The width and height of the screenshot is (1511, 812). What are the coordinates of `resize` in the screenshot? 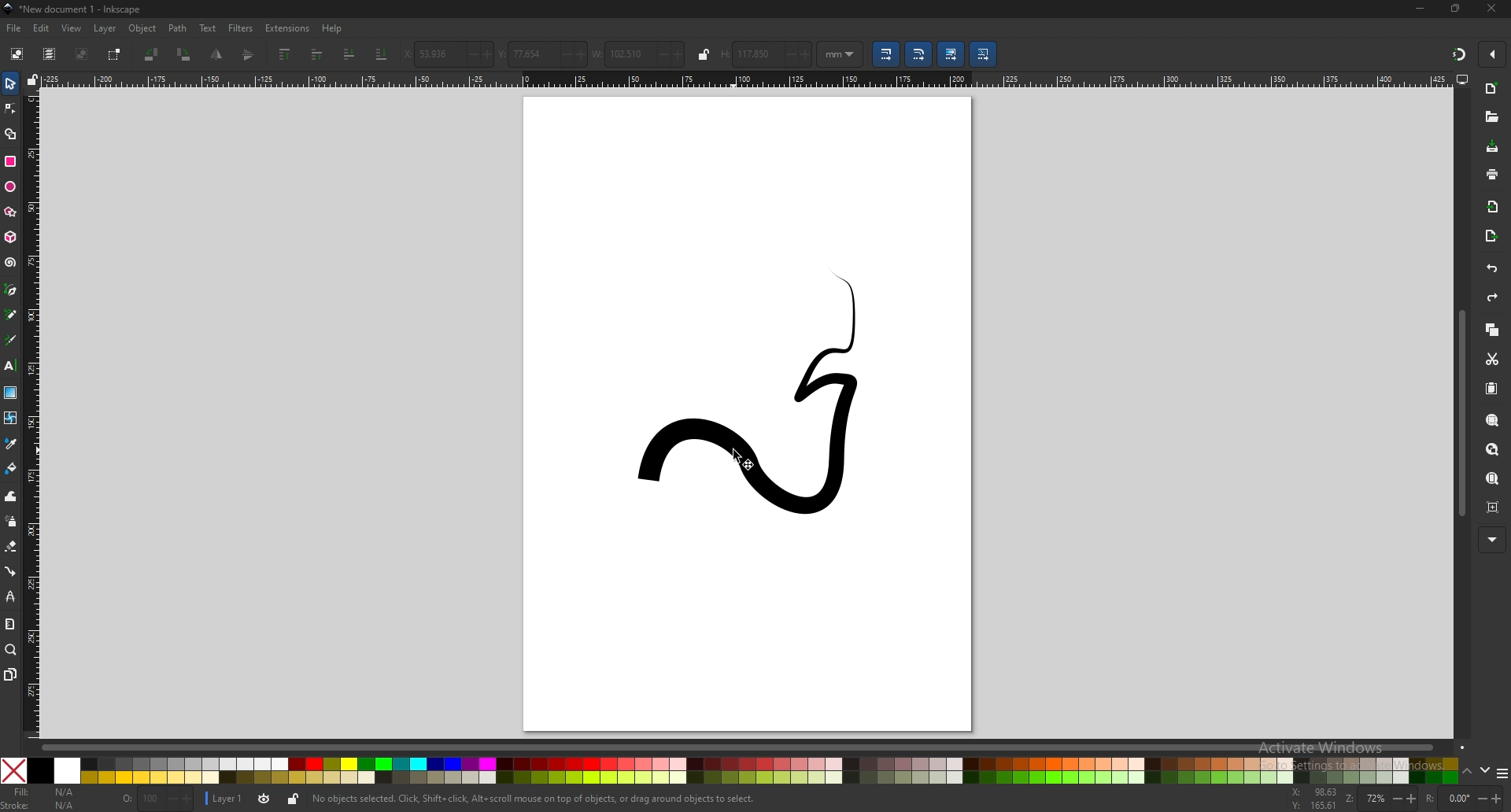 It's located at (1457, 9).